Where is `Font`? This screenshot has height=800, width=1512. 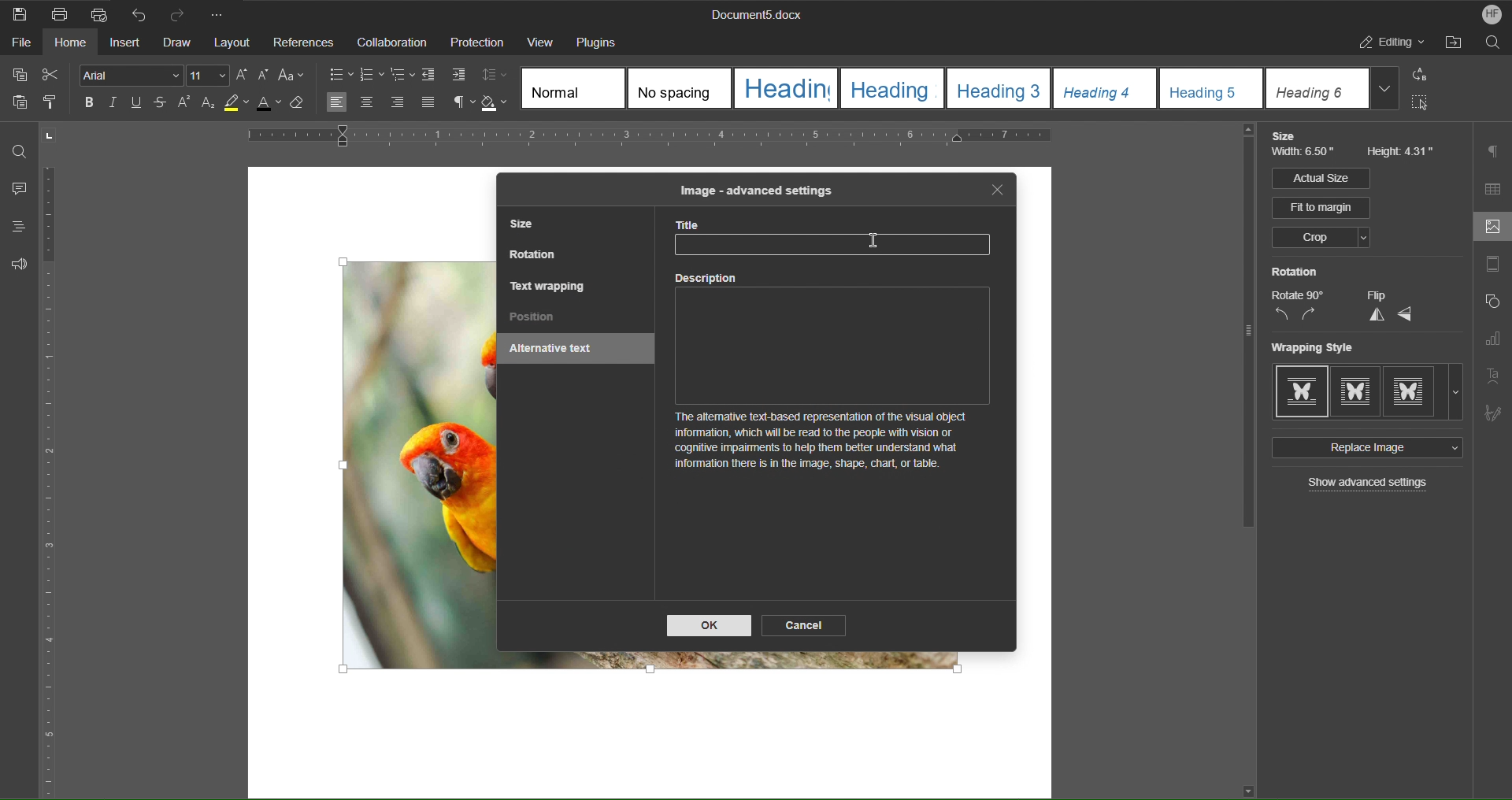
Font is located at coordinates (127, 75).